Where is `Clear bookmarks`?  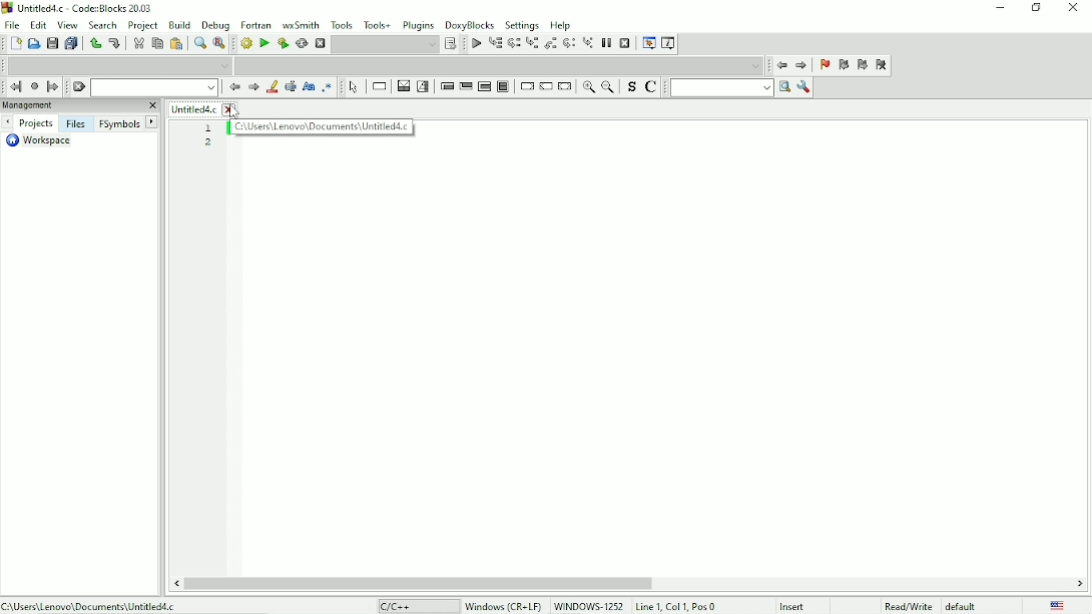
Clear bookmarks is located at coordinates (882, 64).